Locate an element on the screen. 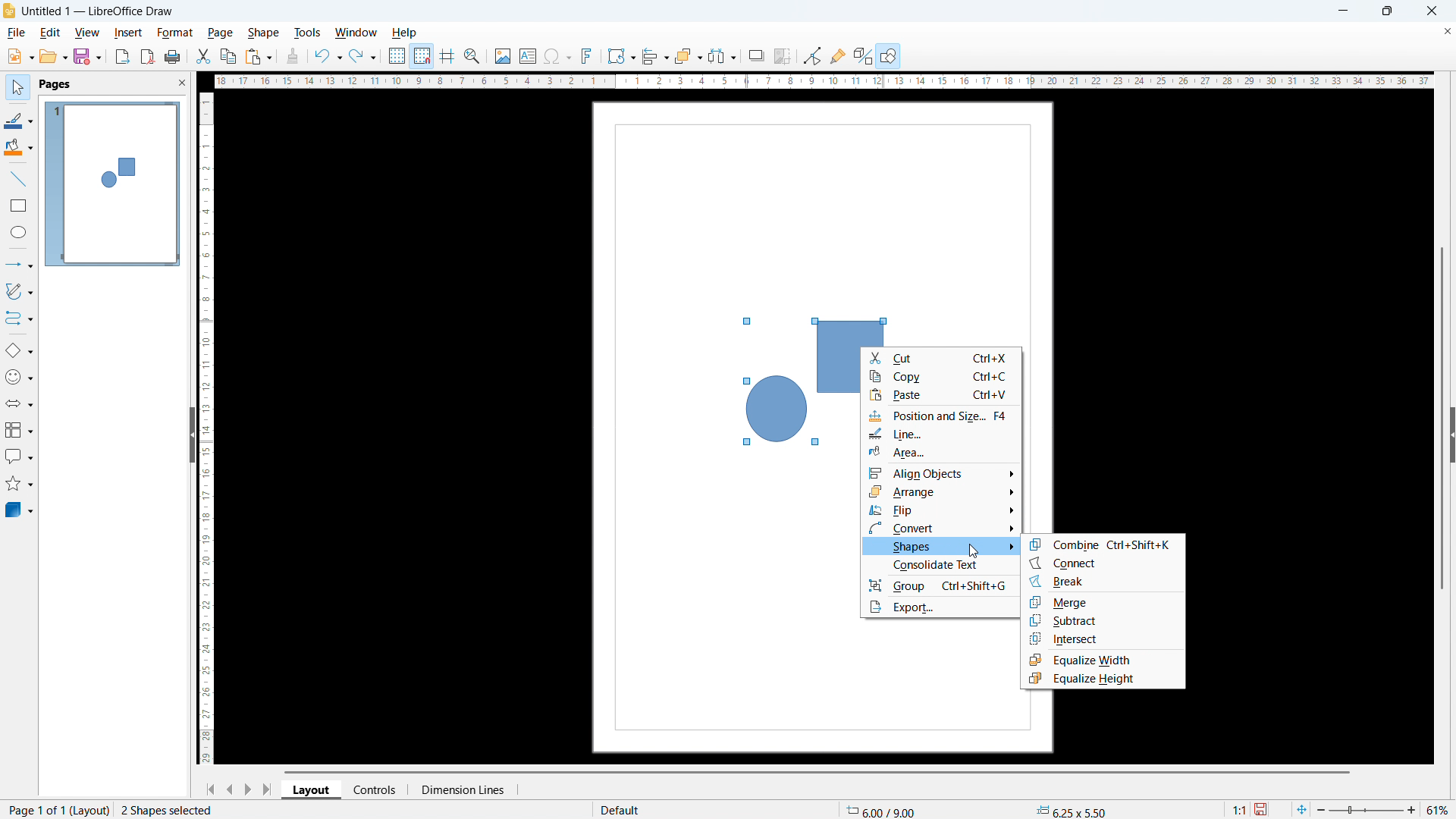 The image size is (1456, 819). format is located at coordinates (175, 33).